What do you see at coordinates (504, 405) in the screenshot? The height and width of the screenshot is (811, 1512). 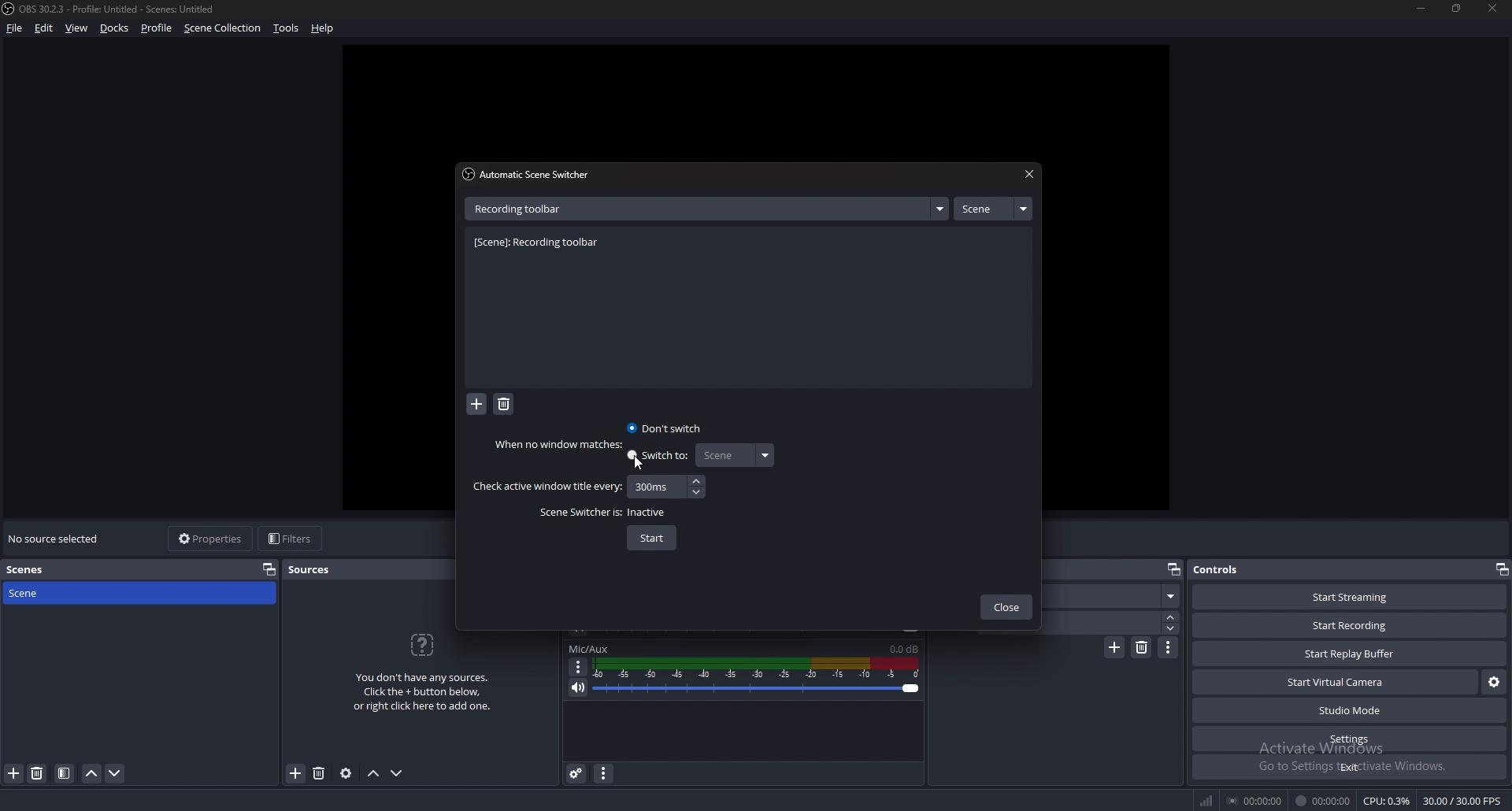 I see `remove` at bounding box center [504, 405].